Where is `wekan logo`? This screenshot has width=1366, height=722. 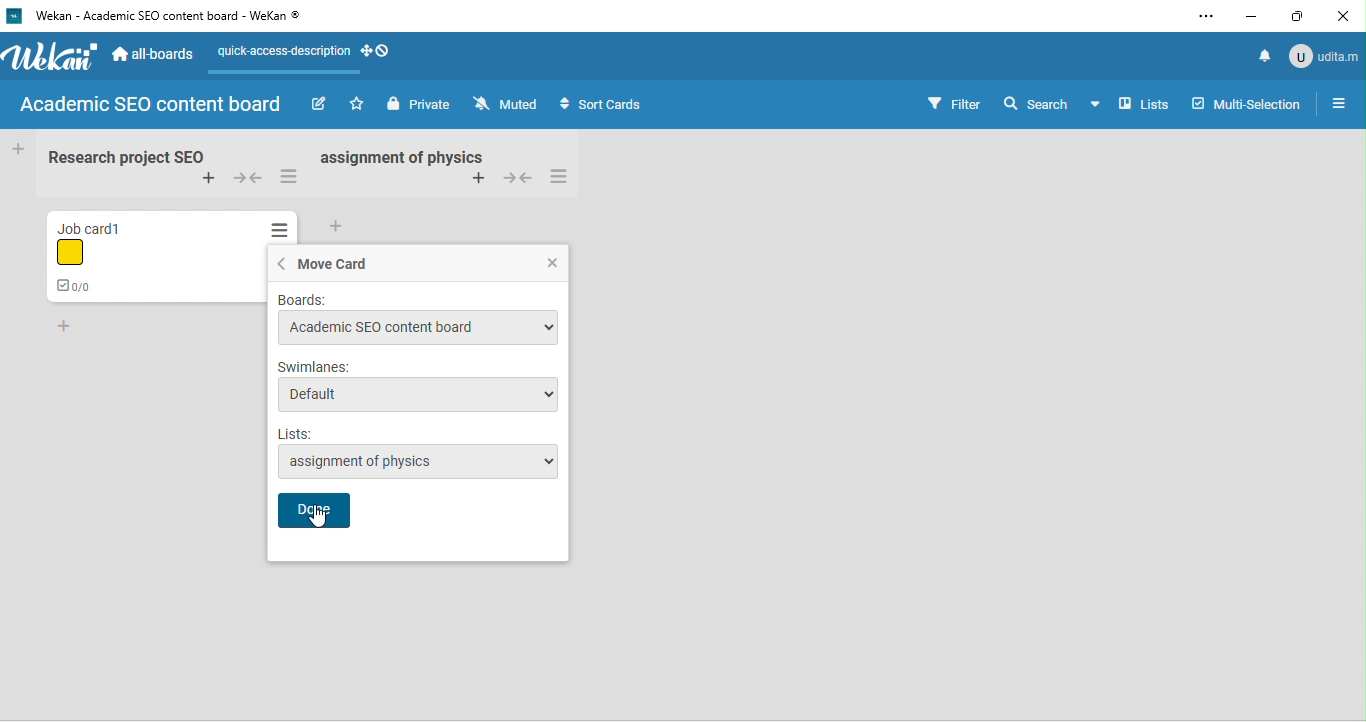 wekan logo is located at coordinates (52, 57).